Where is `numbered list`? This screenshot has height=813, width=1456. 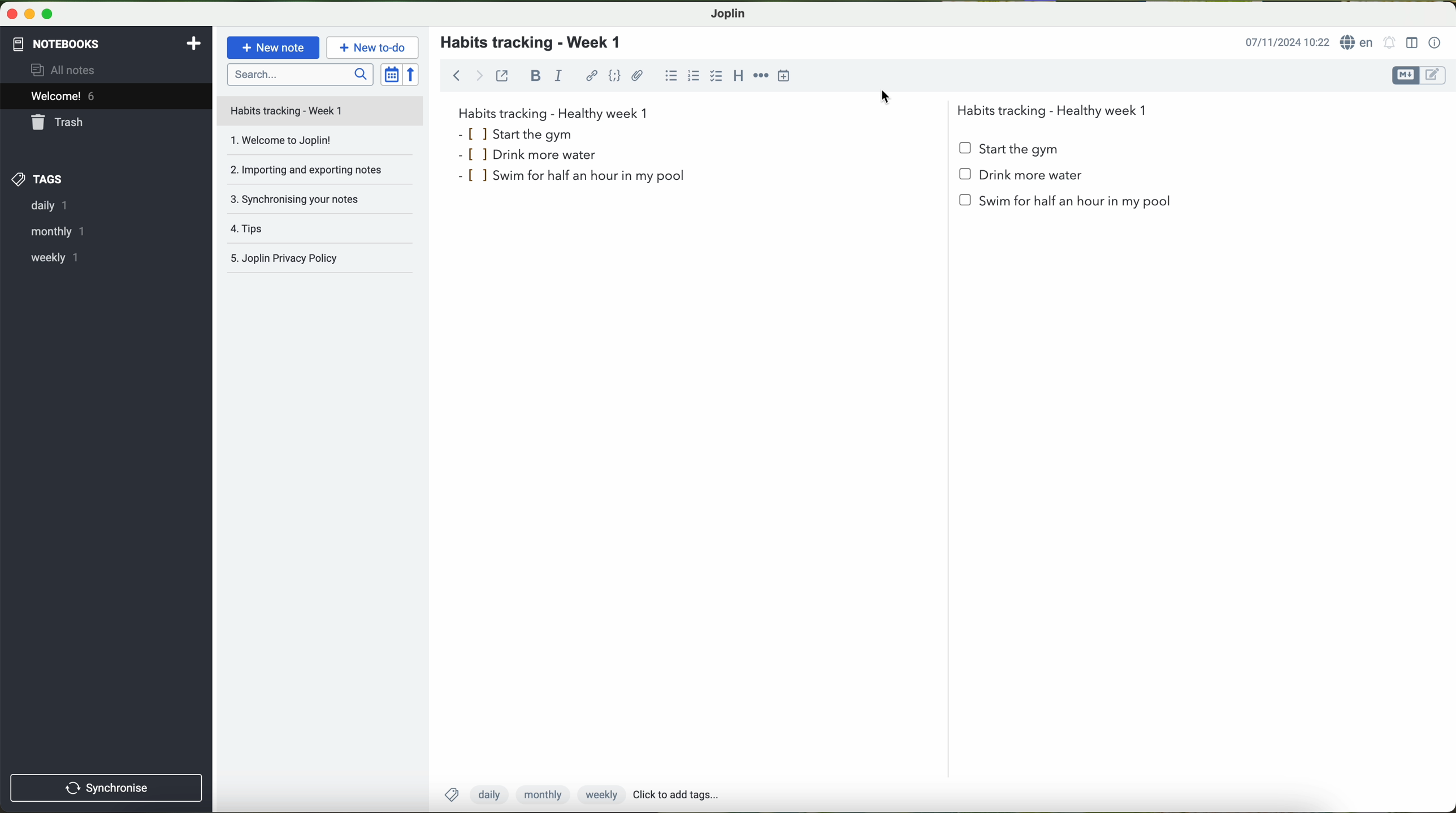 numbered list is located at coordinates (695, 75).